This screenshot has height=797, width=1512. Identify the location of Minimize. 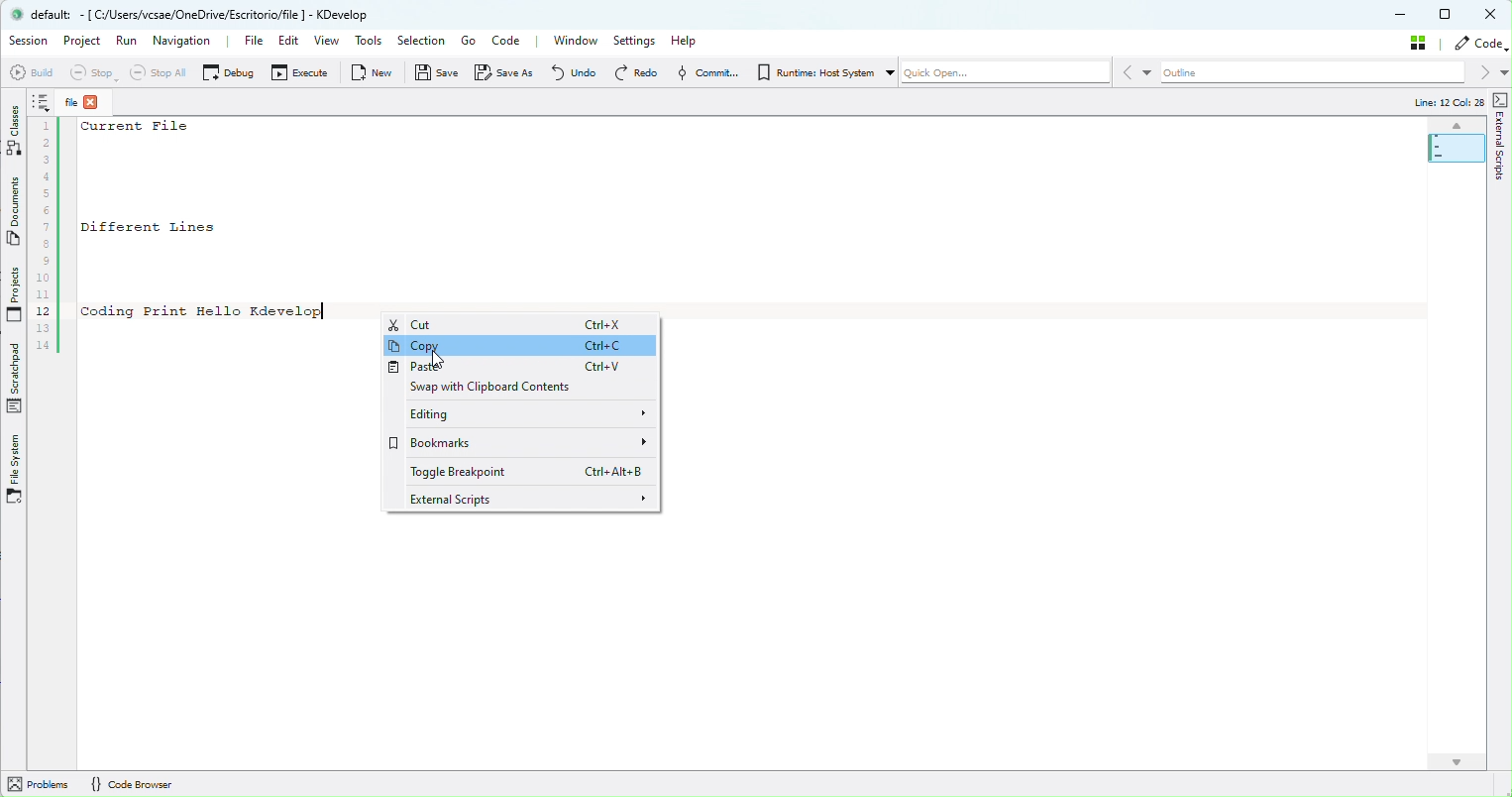
(1405, 16).